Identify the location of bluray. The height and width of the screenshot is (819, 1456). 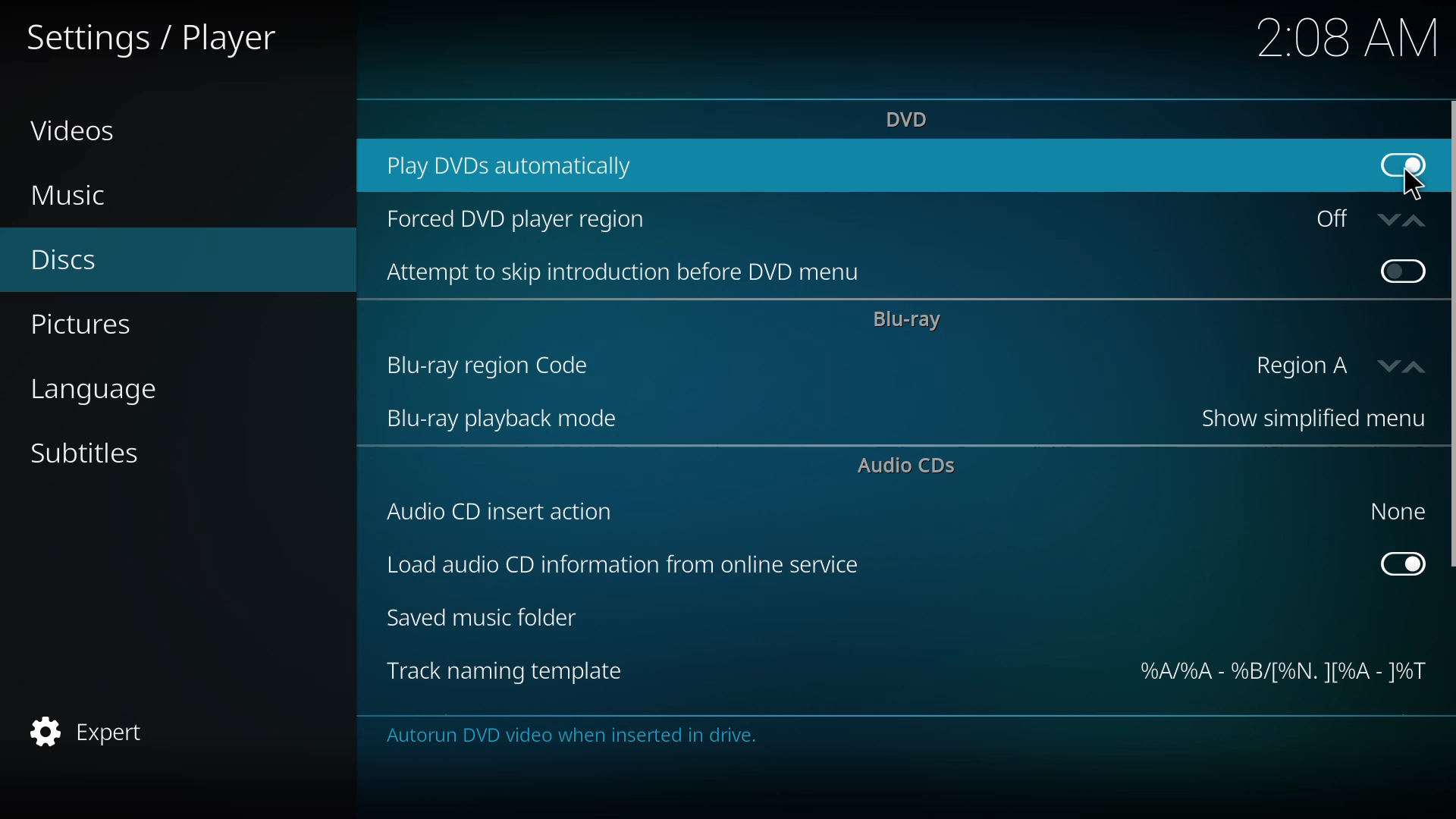
(908, 320).